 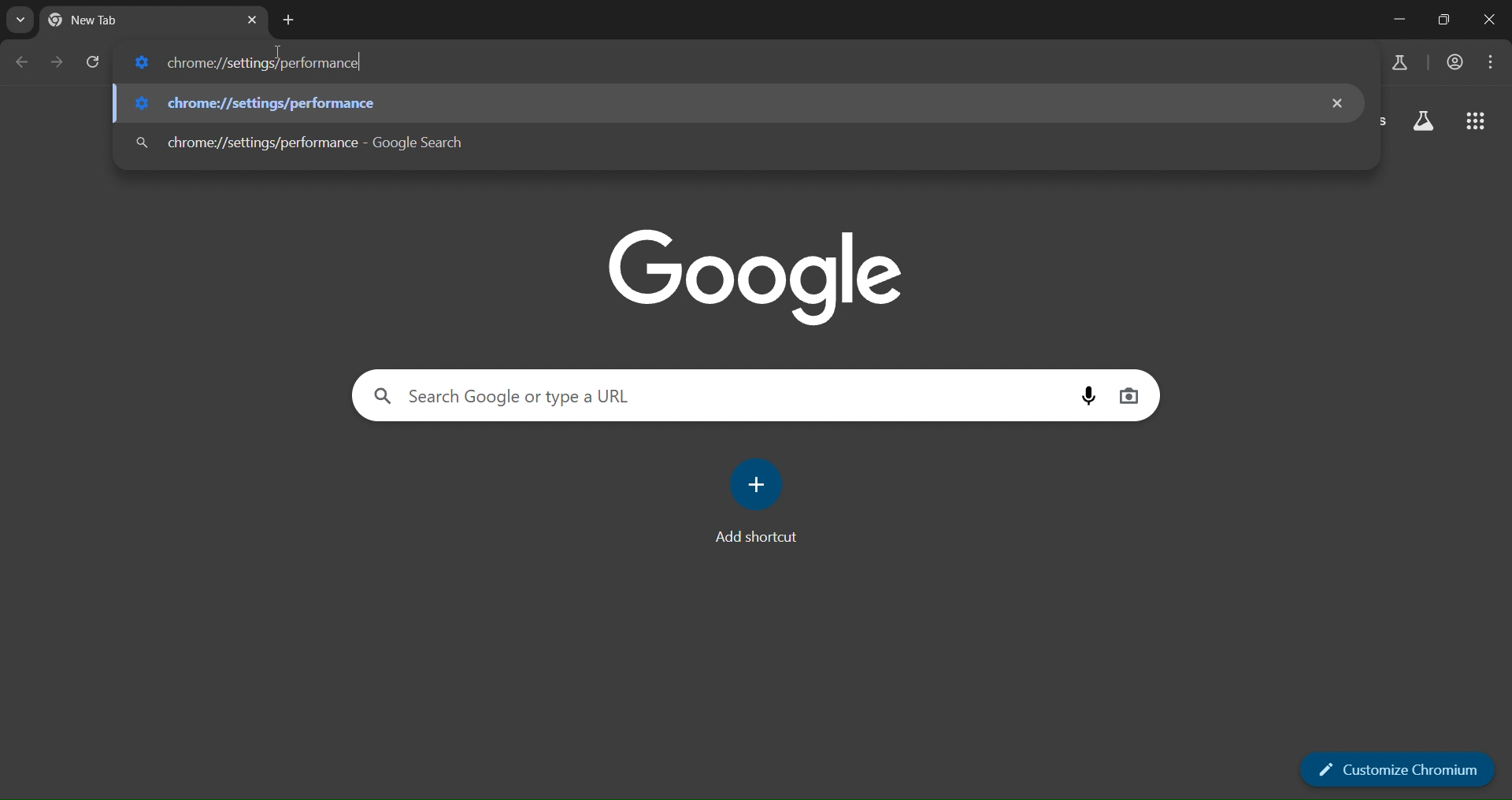 What do you see at coordinates (1395, 17) in the screenshot?
I see `minimize` at bounding box center [1395, 17].